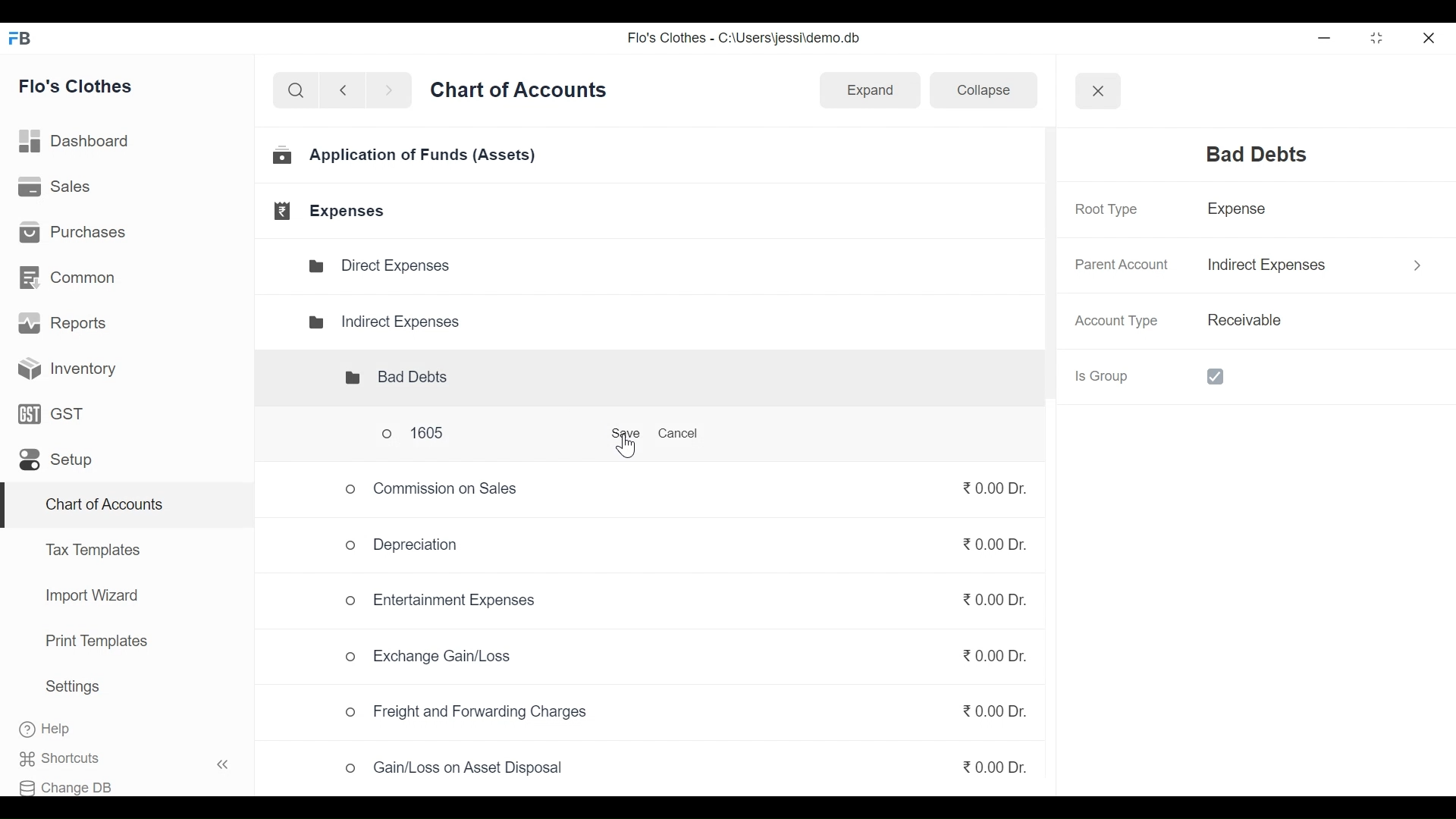 The image size is (1456, 819). Describe the element at coordinates (332, 211) in the screenshot. I see `Expenses` at that location.